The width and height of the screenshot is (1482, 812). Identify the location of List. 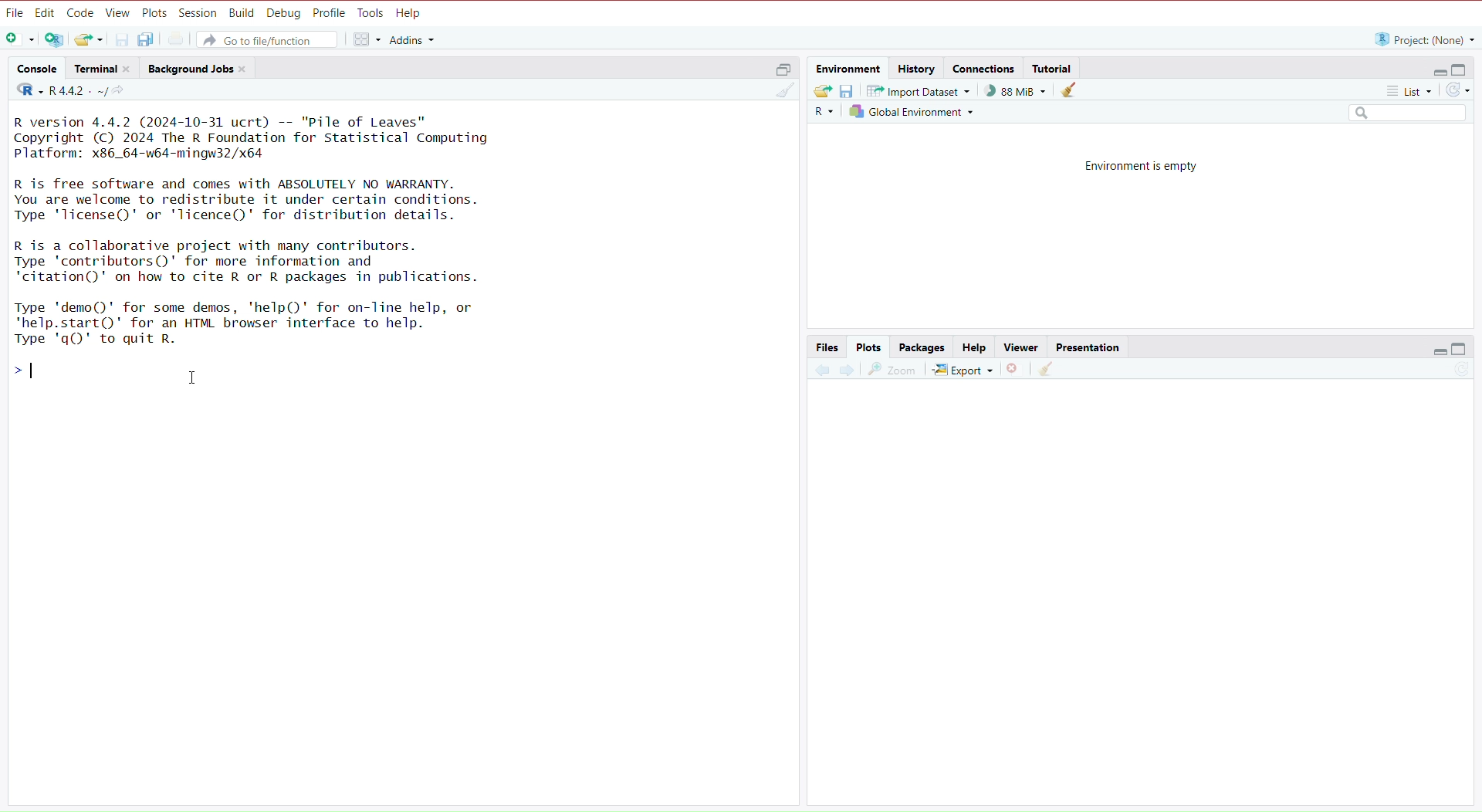
(1409, 89).